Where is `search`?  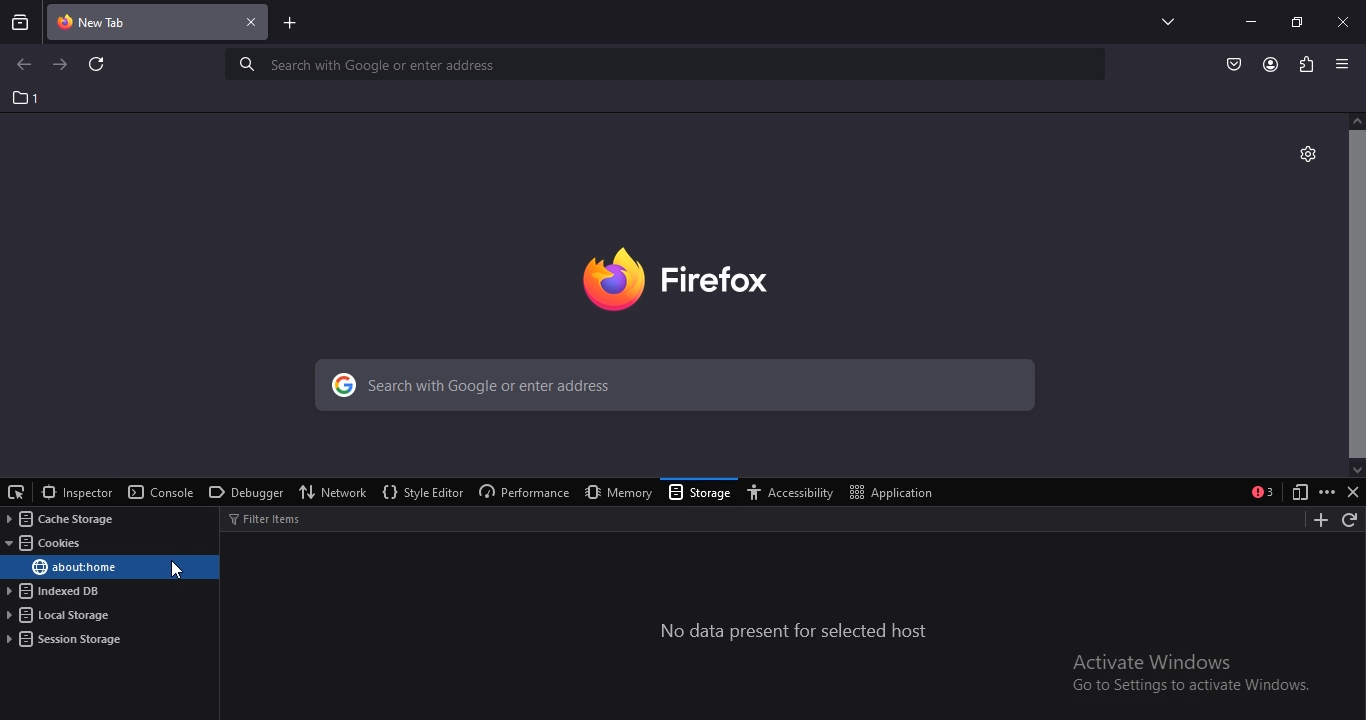
search is located at coordinates (668, 64).